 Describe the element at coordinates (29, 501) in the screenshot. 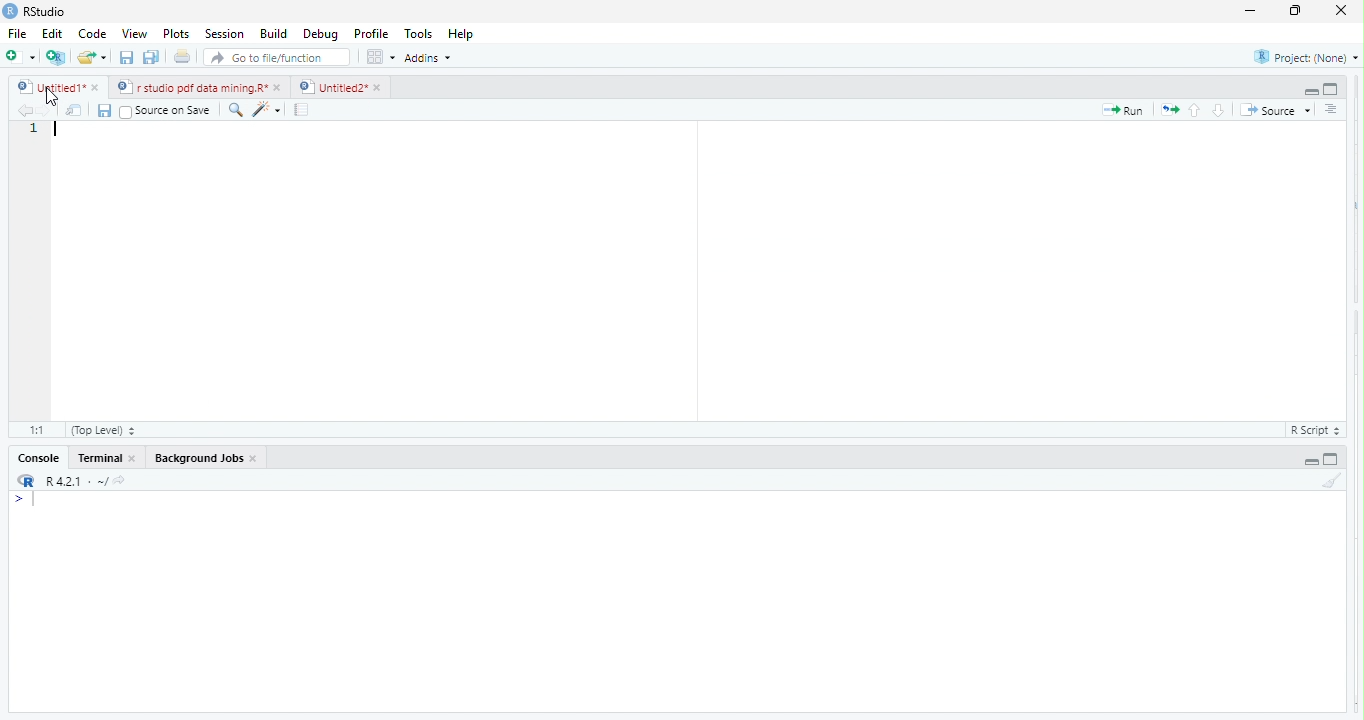

I see `typing cursor` at that location.